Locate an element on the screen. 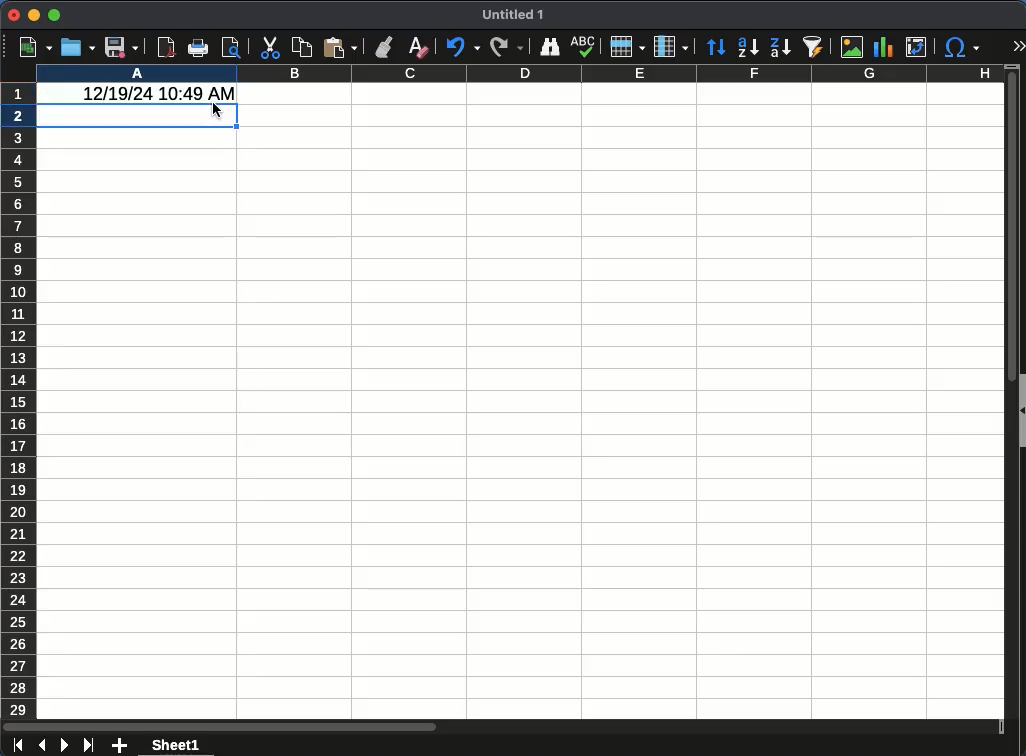 The width and height of the screenshot is (1026, 756). expand is located at coordinates (1020, 43).